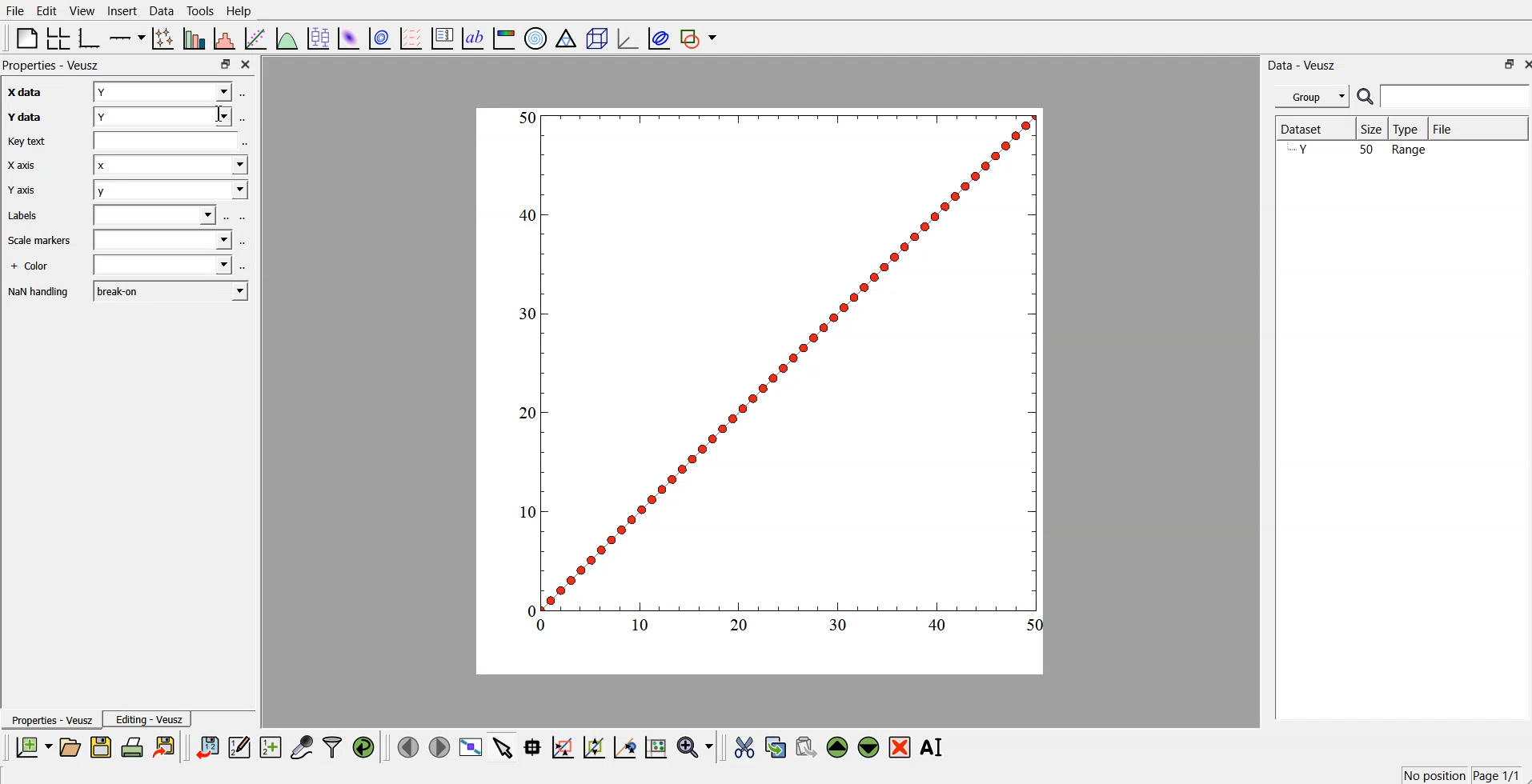  Describe the element at coordinates (1522, 64) in the screenshot. I see `close` at that location.